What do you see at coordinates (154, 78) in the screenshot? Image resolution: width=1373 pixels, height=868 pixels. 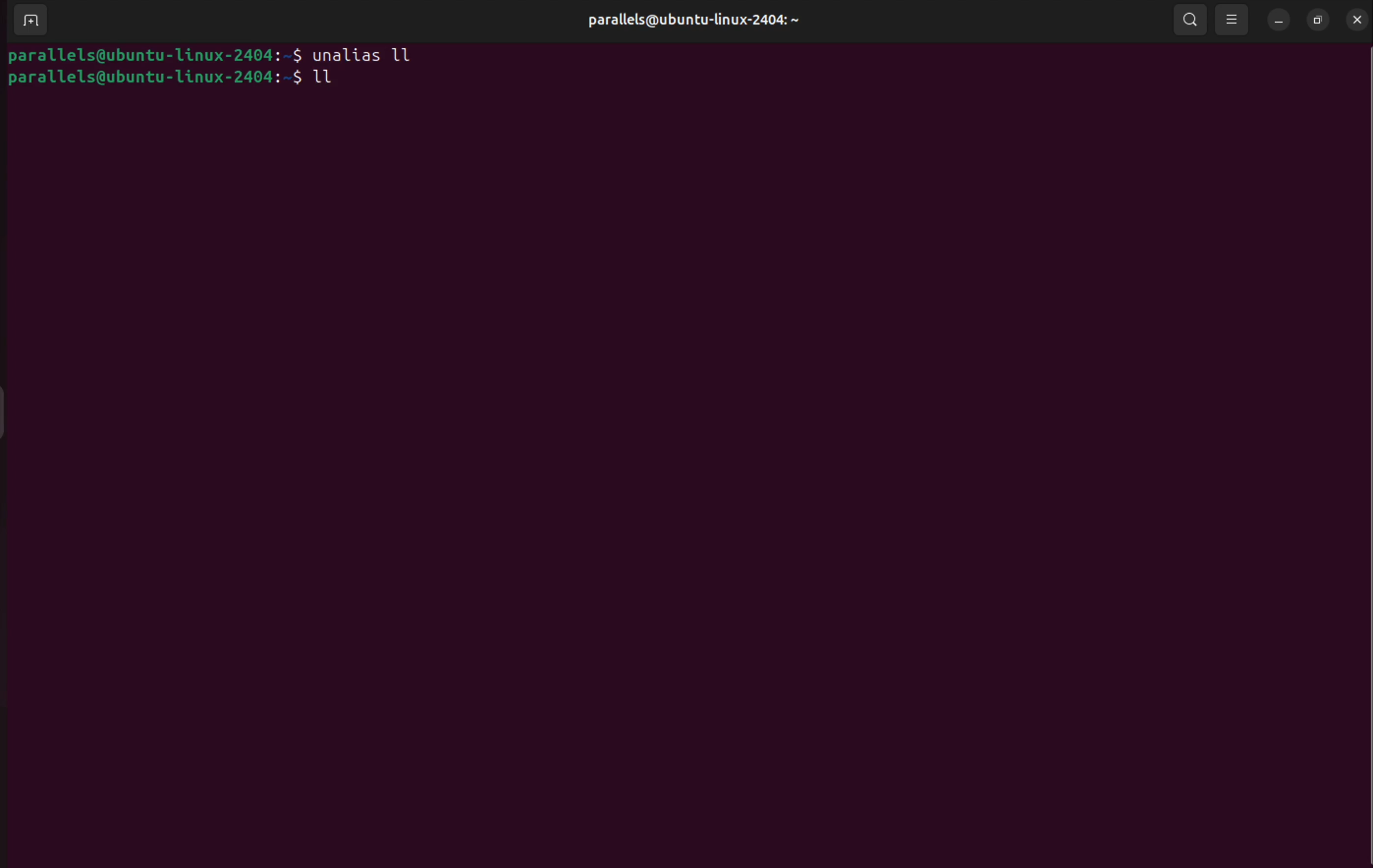 I see `bash prompt` at bounding box center [154, 78].